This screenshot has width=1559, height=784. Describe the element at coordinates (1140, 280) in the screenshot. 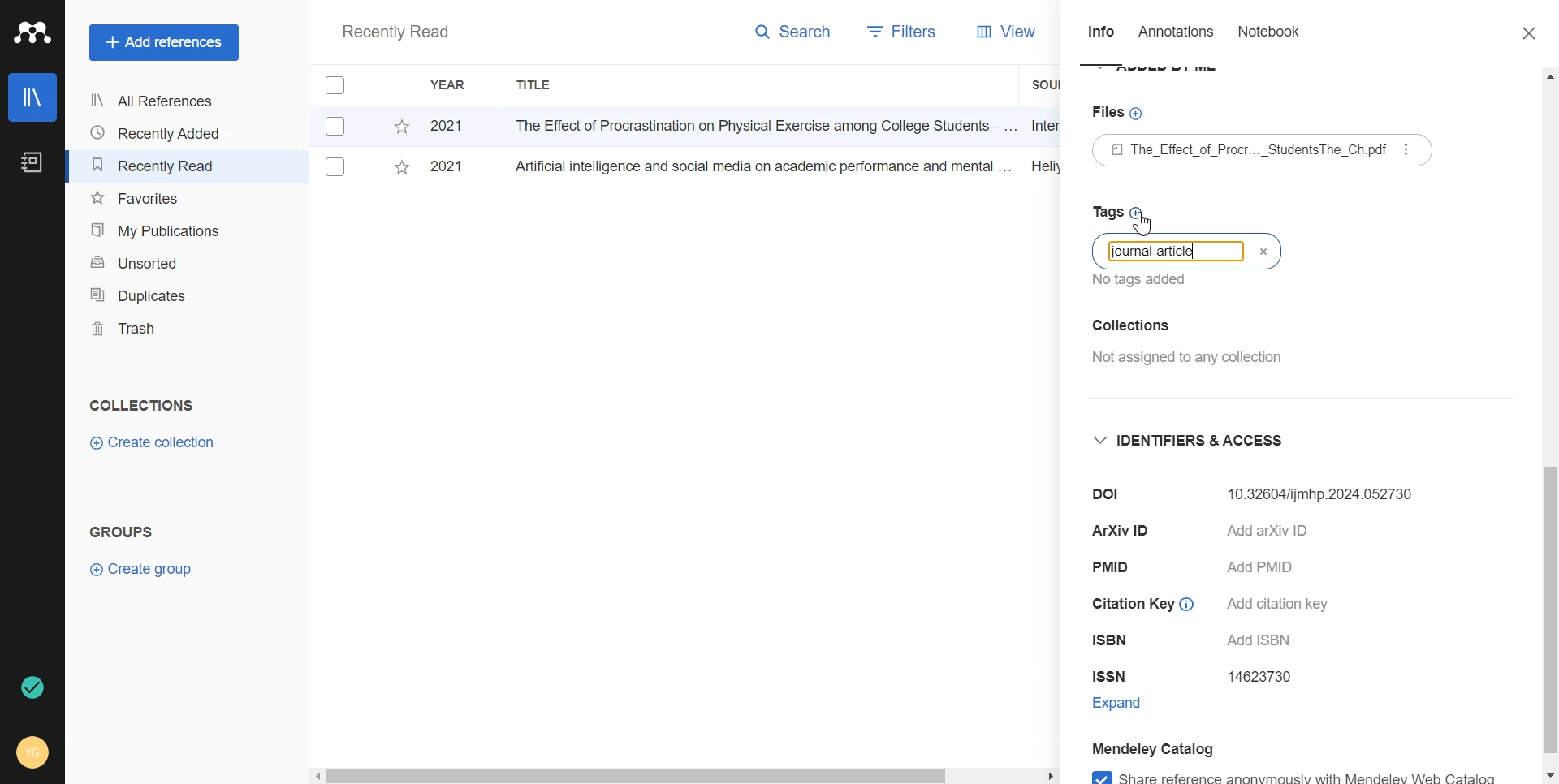

I see `No tags added` at that location.